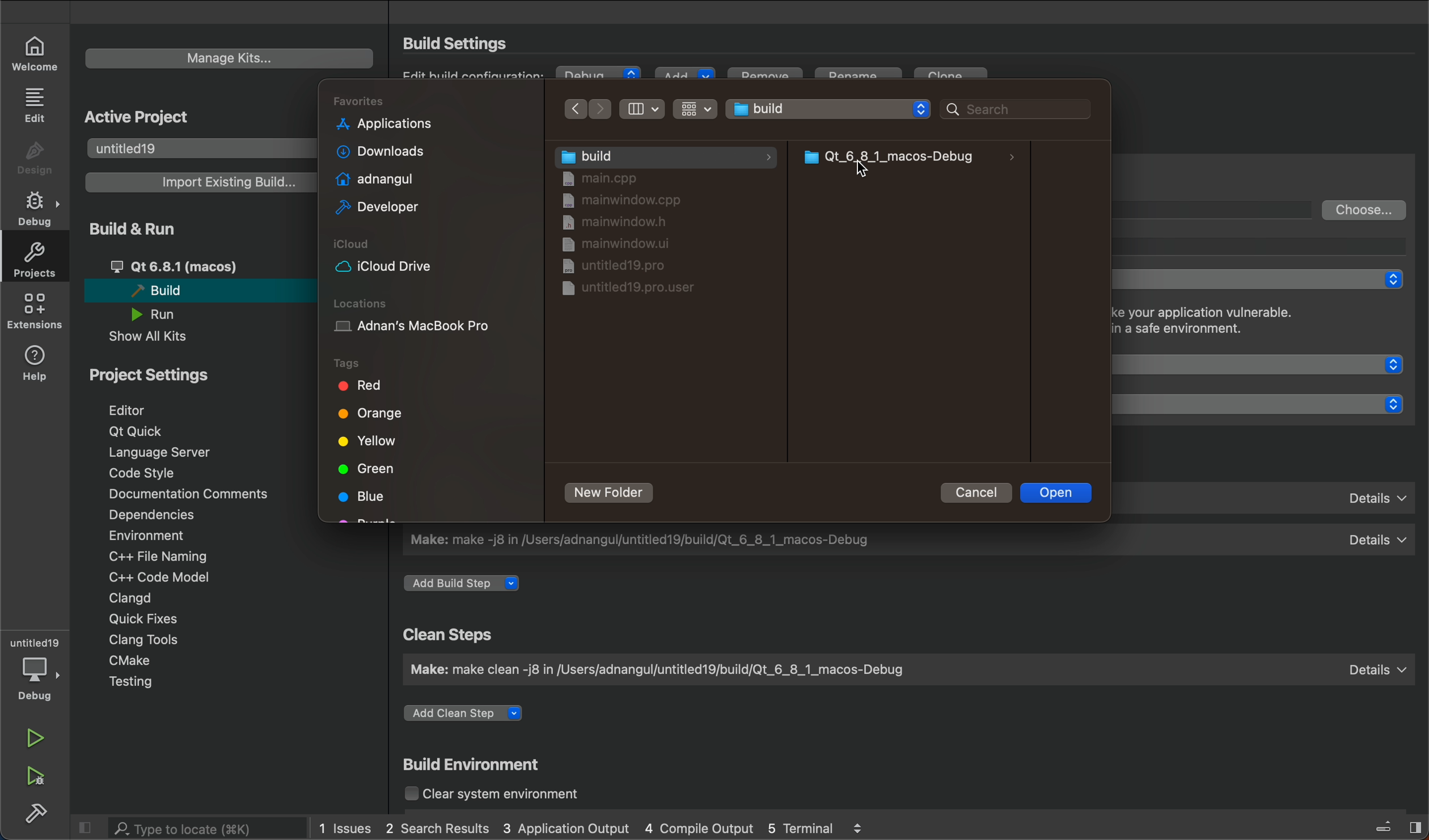 Image resolution: width=1429 pixels, height=840 pixels. I want to click on yellow, so click(365, 440).